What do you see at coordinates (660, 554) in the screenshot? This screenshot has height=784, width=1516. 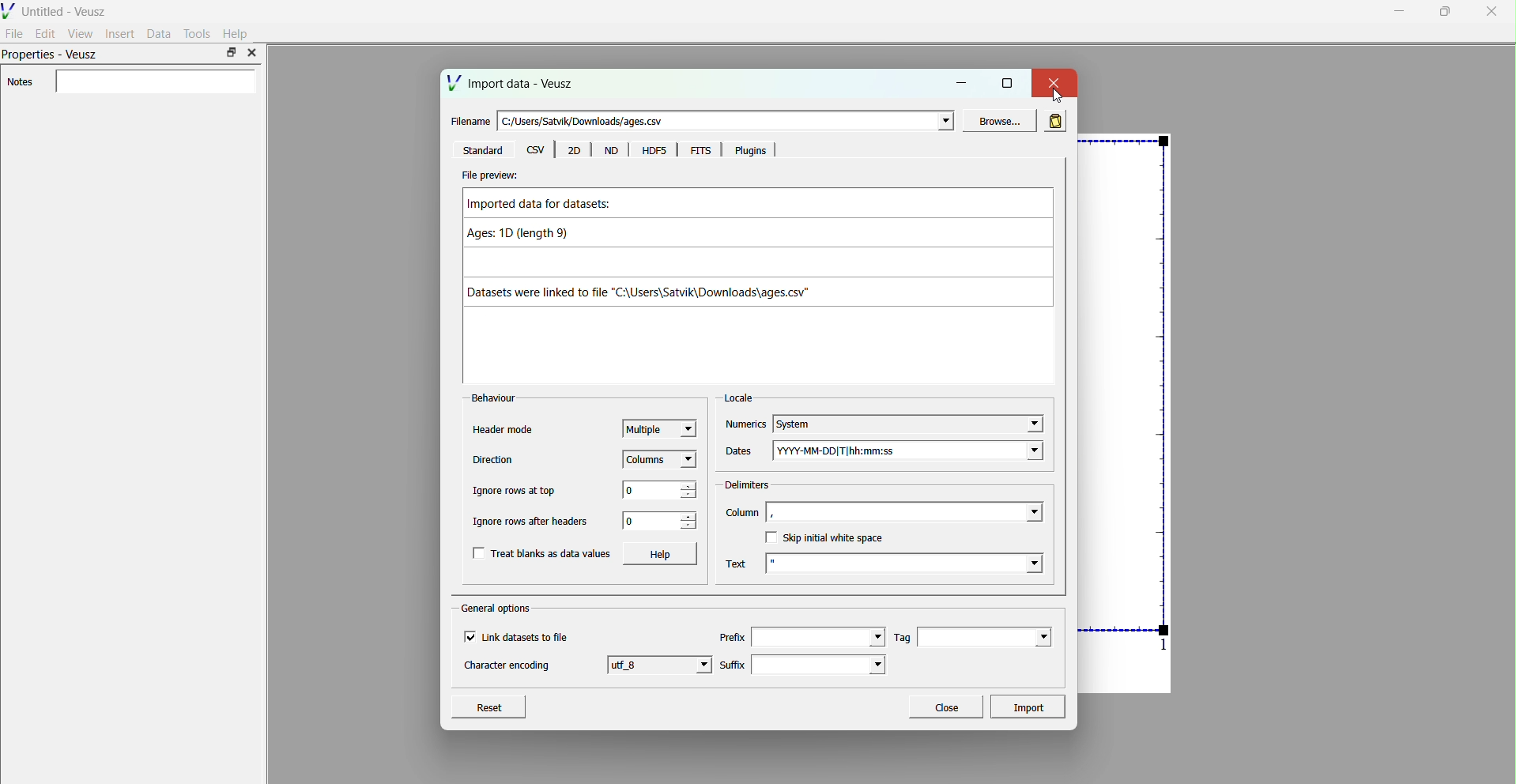 I see `Help` at bounding box center [660, 554].